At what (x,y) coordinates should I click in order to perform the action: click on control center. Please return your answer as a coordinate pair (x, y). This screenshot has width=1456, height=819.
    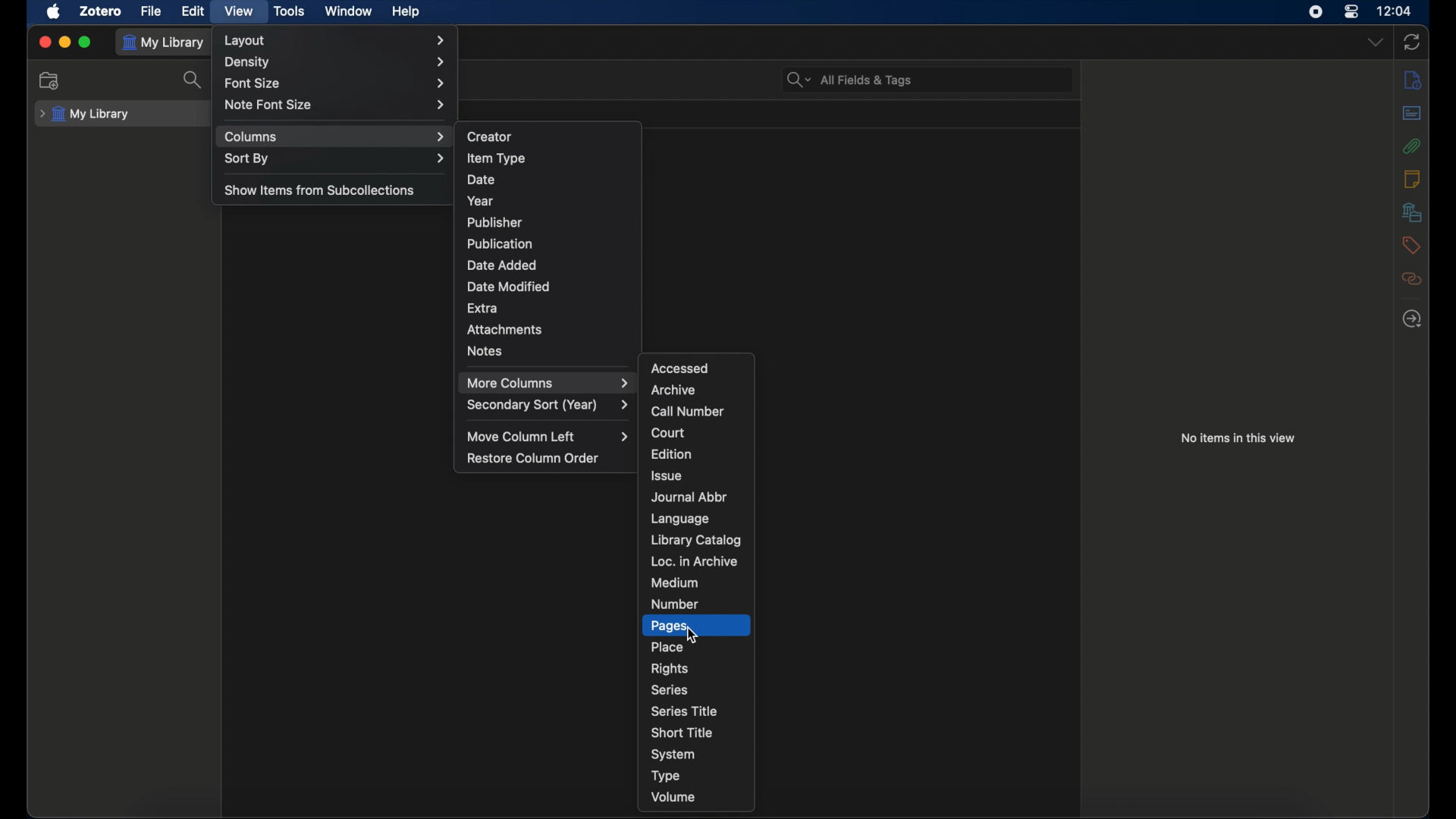
    Looking at the image, I should click on (1352, 12).